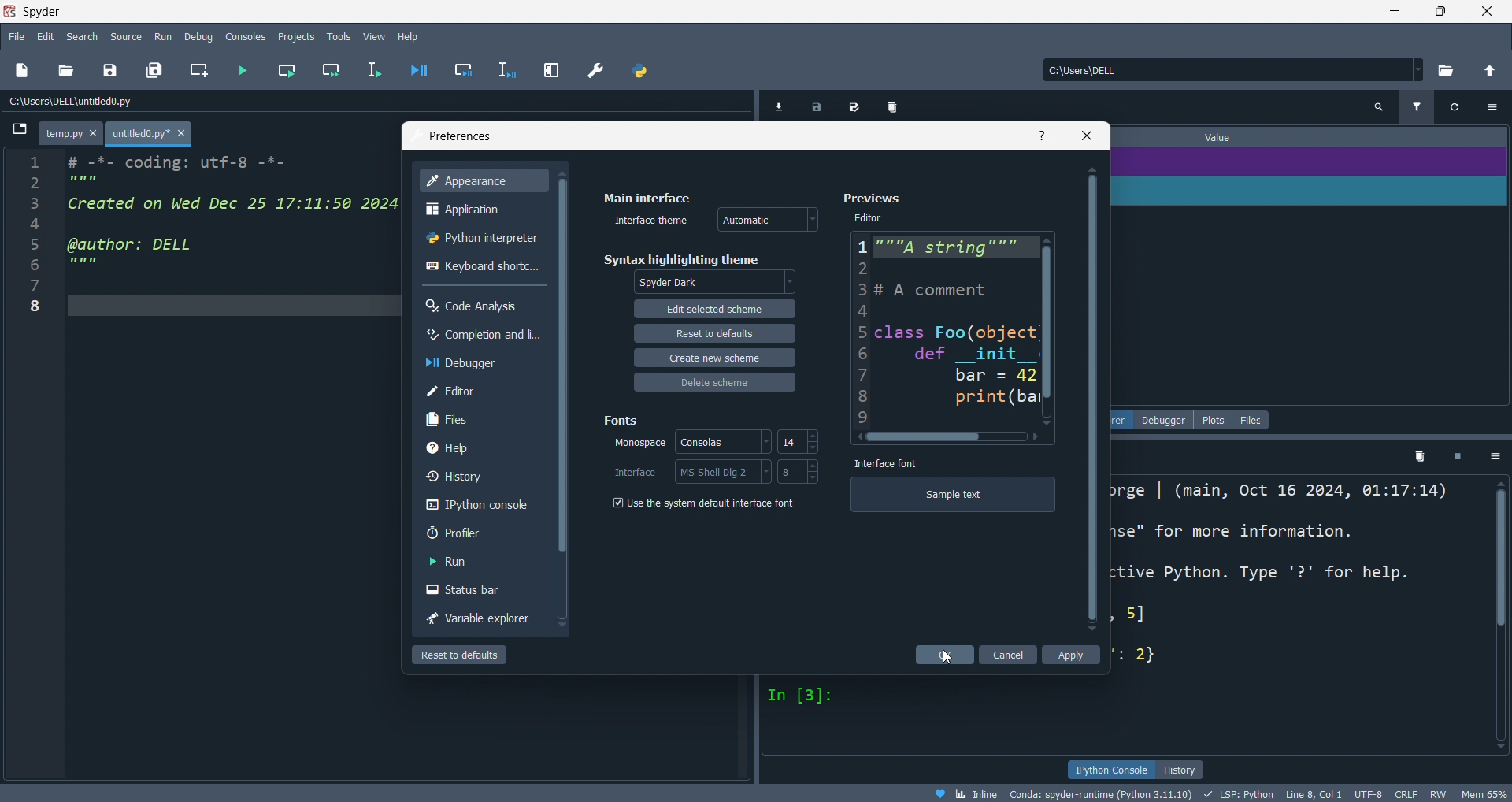 The image size is (1512, 802). What do you see at coordinates (1371, 792) in the screenshot?
I see `UTF-8` at bounding box center [1371, 792].